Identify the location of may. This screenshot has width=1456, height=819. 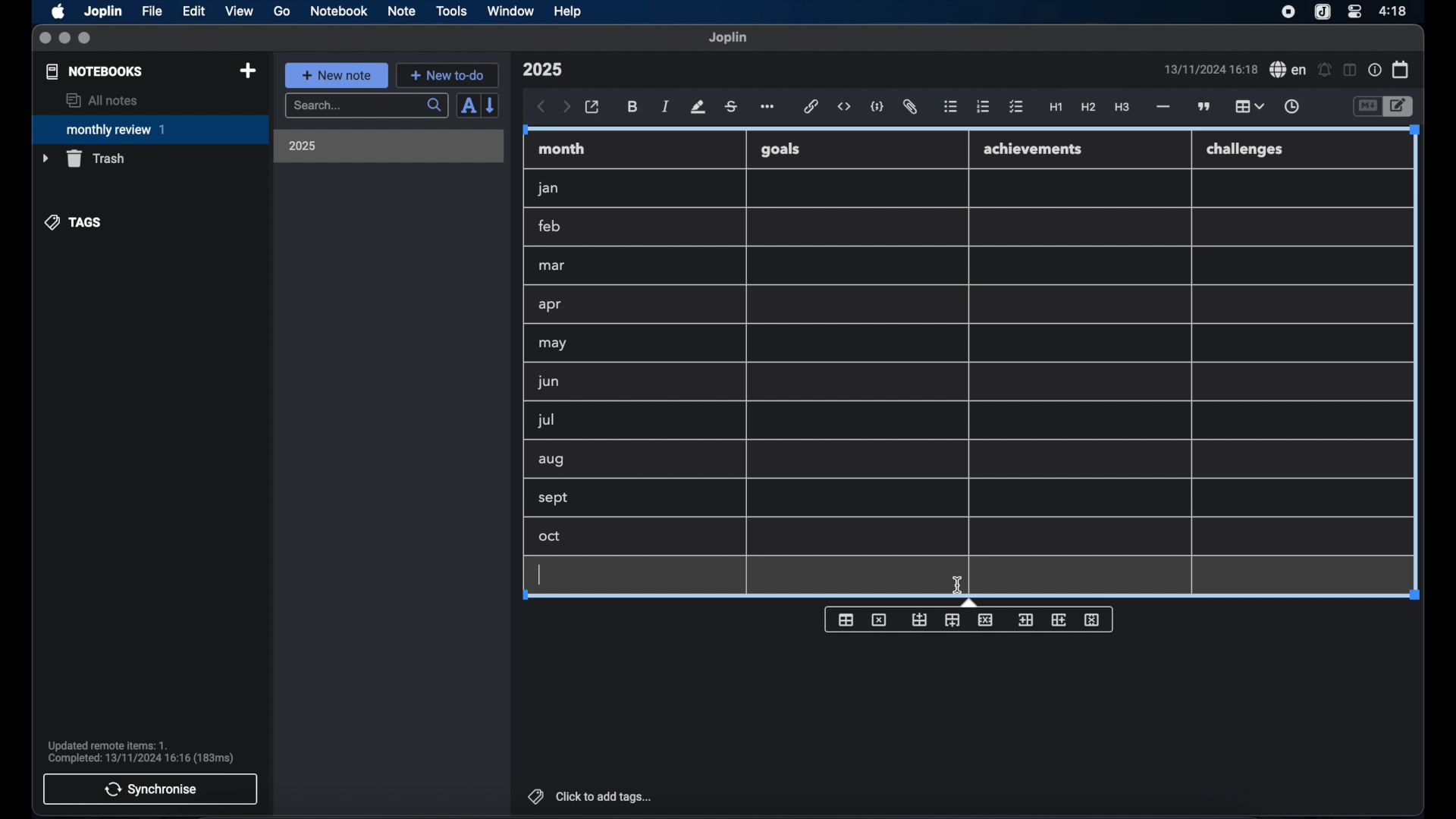
(552, 344).